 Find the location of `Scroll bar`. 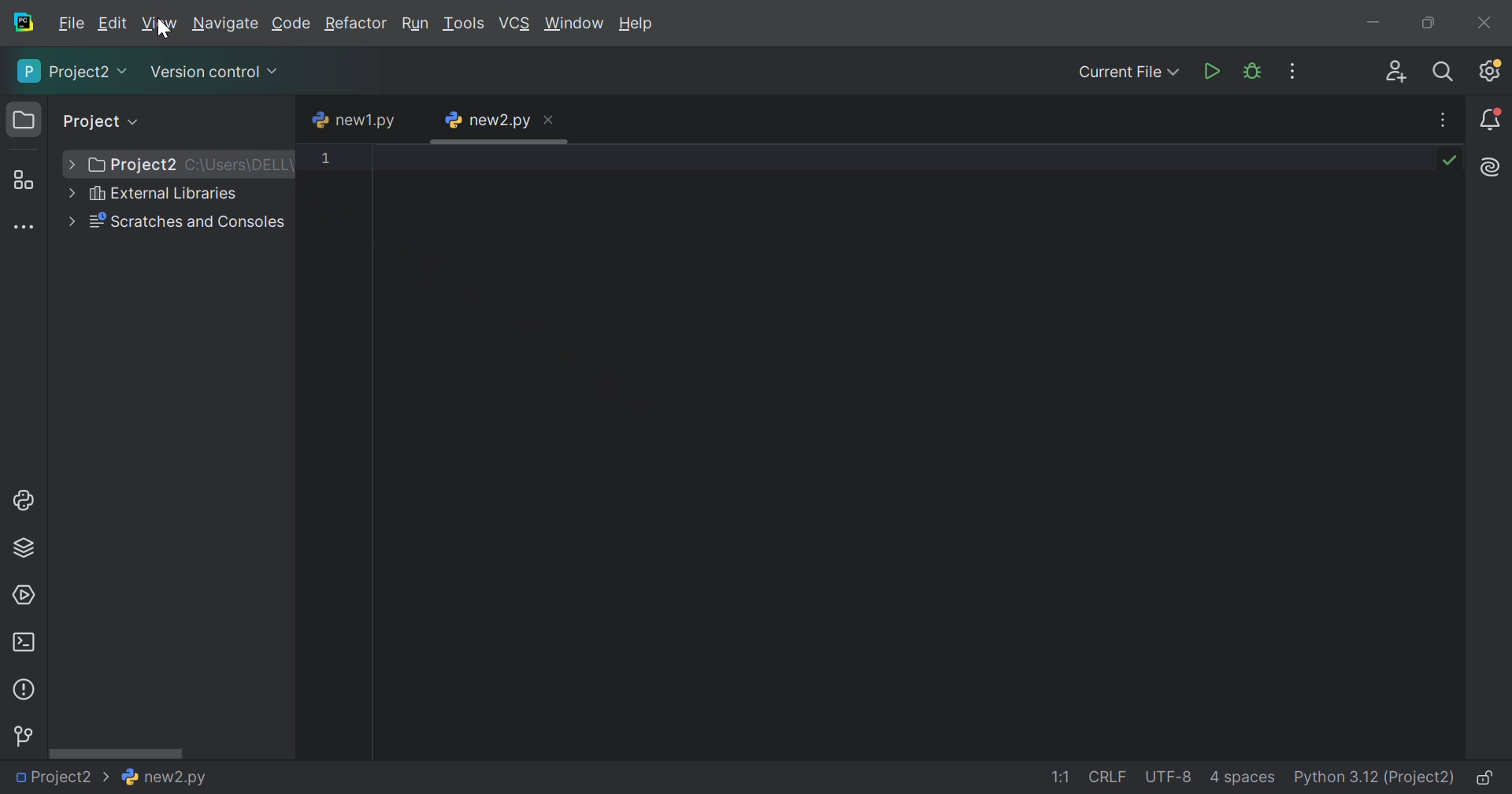

Scroll bar is located at coordinates (117, 753).